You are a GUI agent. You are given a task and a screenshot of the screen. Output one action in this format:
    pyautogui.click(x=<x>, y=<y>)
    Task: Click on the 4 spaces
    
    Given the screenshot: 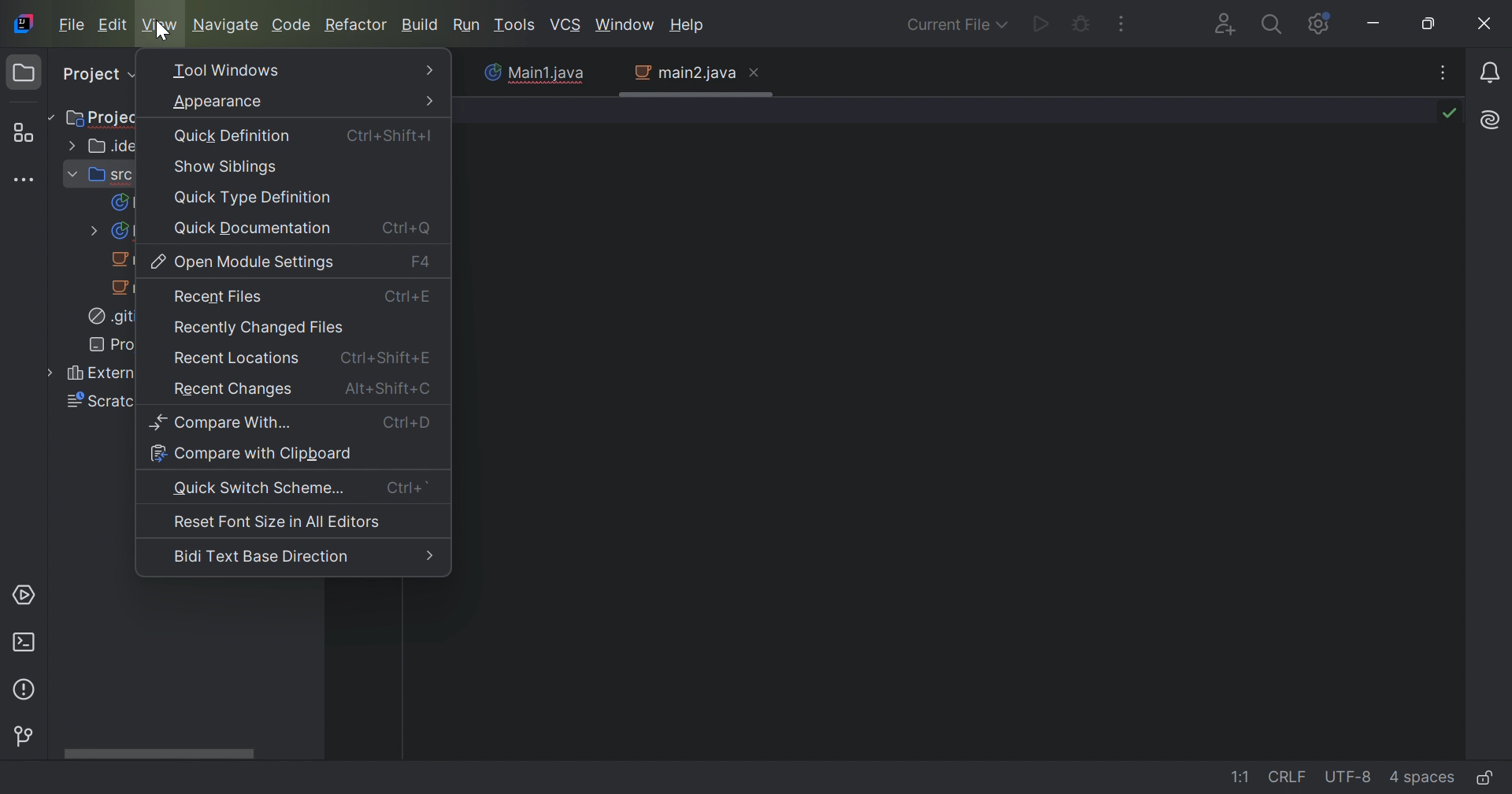 What is the action you would take?
    pyautogui.click(x=1425, y=780)
    